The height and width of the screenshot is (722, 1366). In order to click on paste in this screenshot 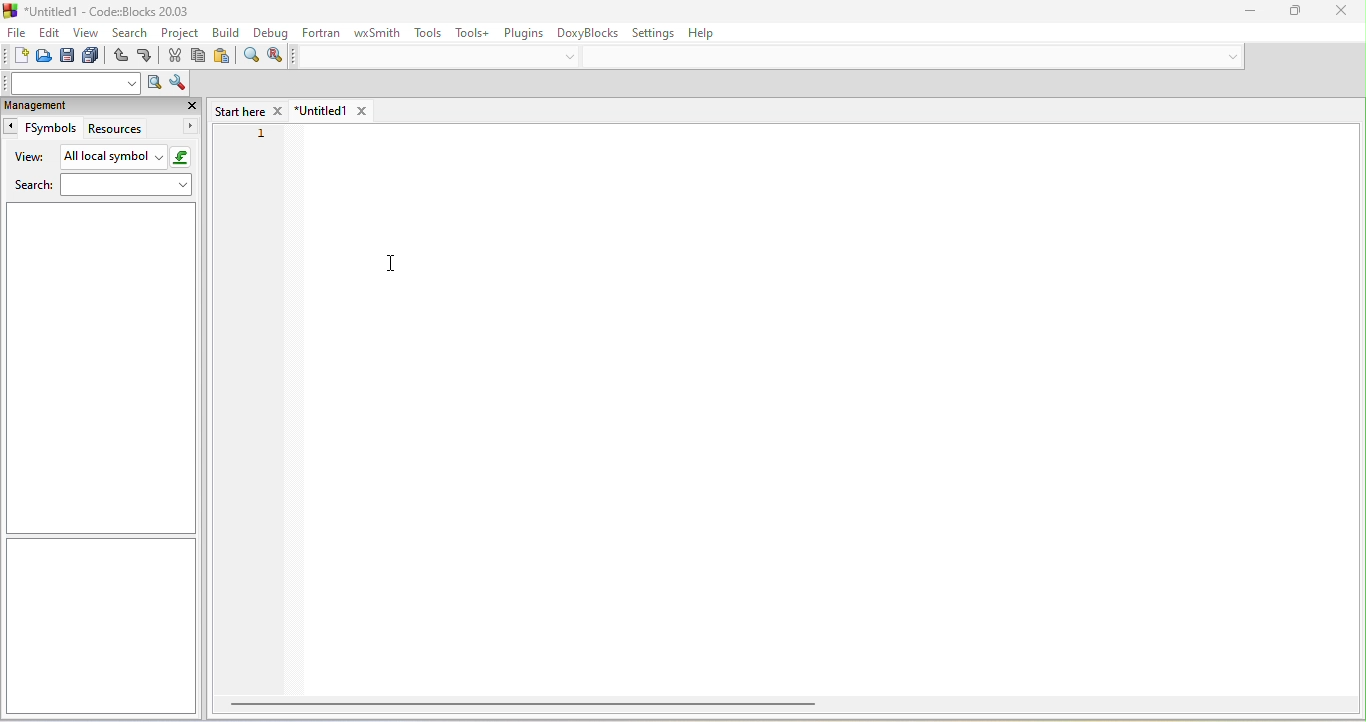, I will do `click(226, 57)`.